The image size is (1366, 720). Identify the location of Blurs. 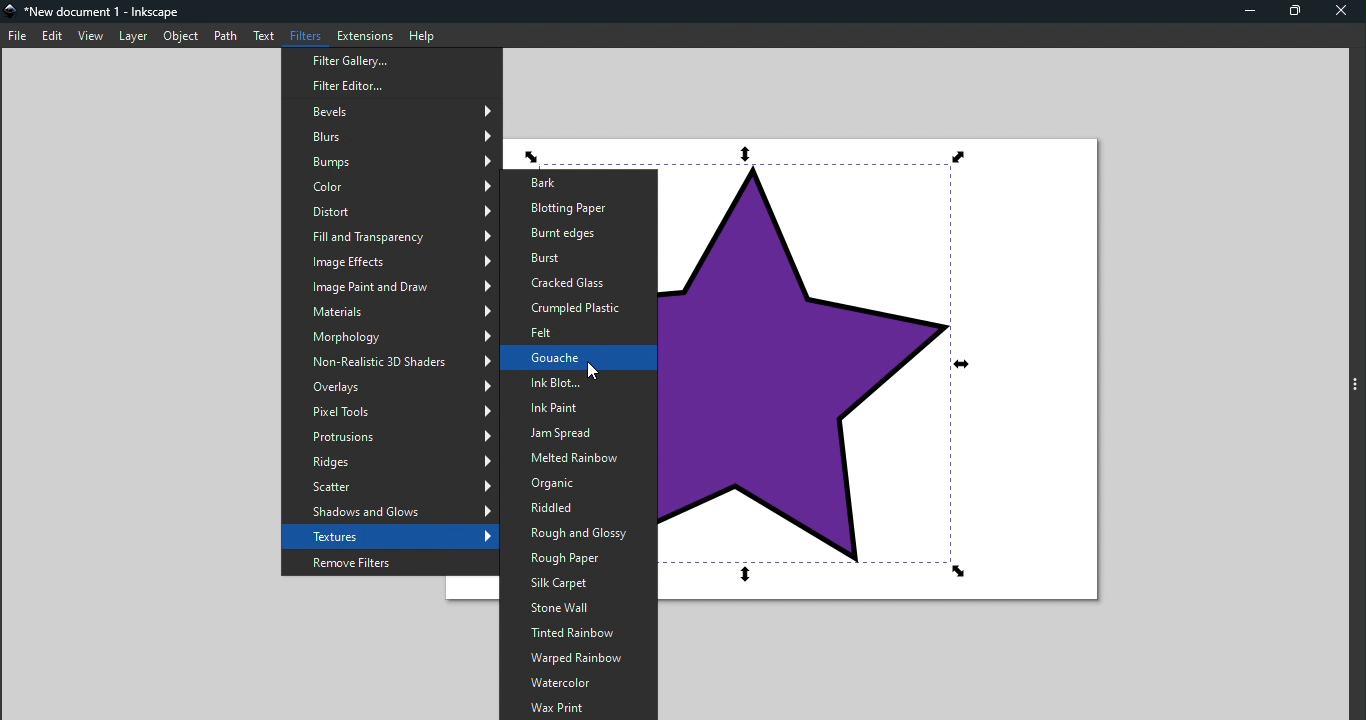
(388, 136).